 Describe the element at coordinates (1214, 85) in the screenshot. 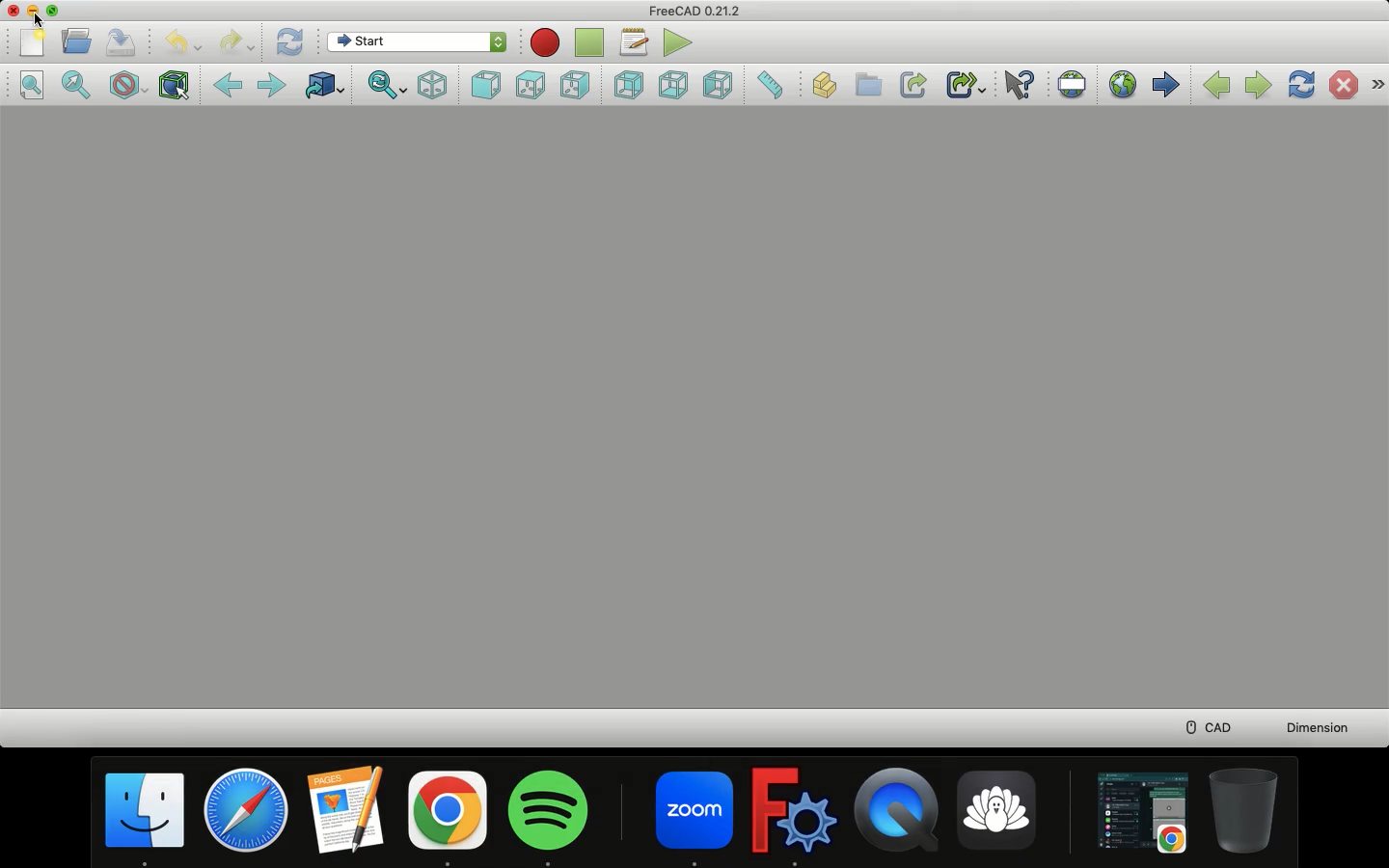

I see `Previous page` at that location.